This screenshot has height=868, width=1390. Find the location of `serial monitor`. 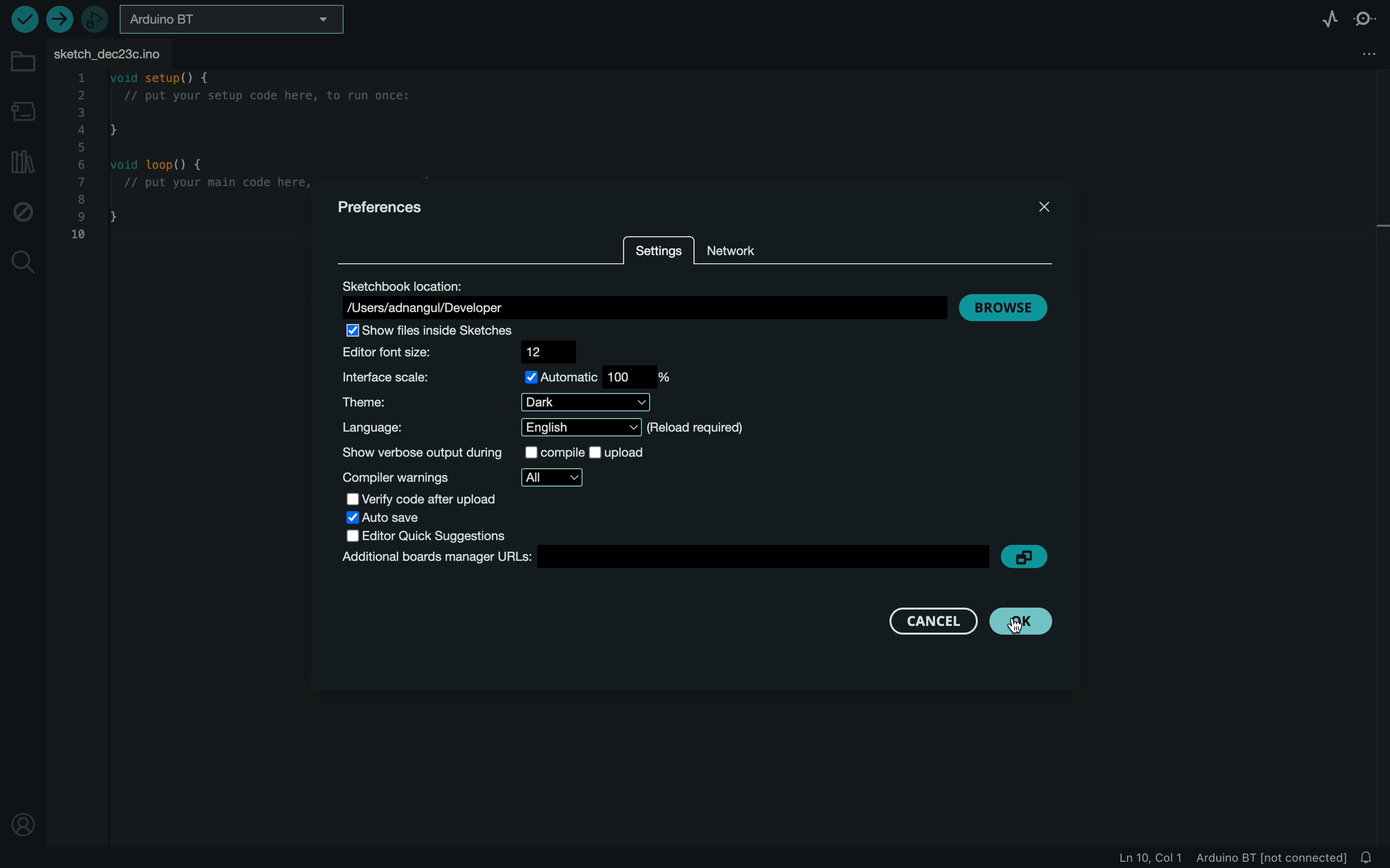

serial monitor is located at coordinates (1371, 17).